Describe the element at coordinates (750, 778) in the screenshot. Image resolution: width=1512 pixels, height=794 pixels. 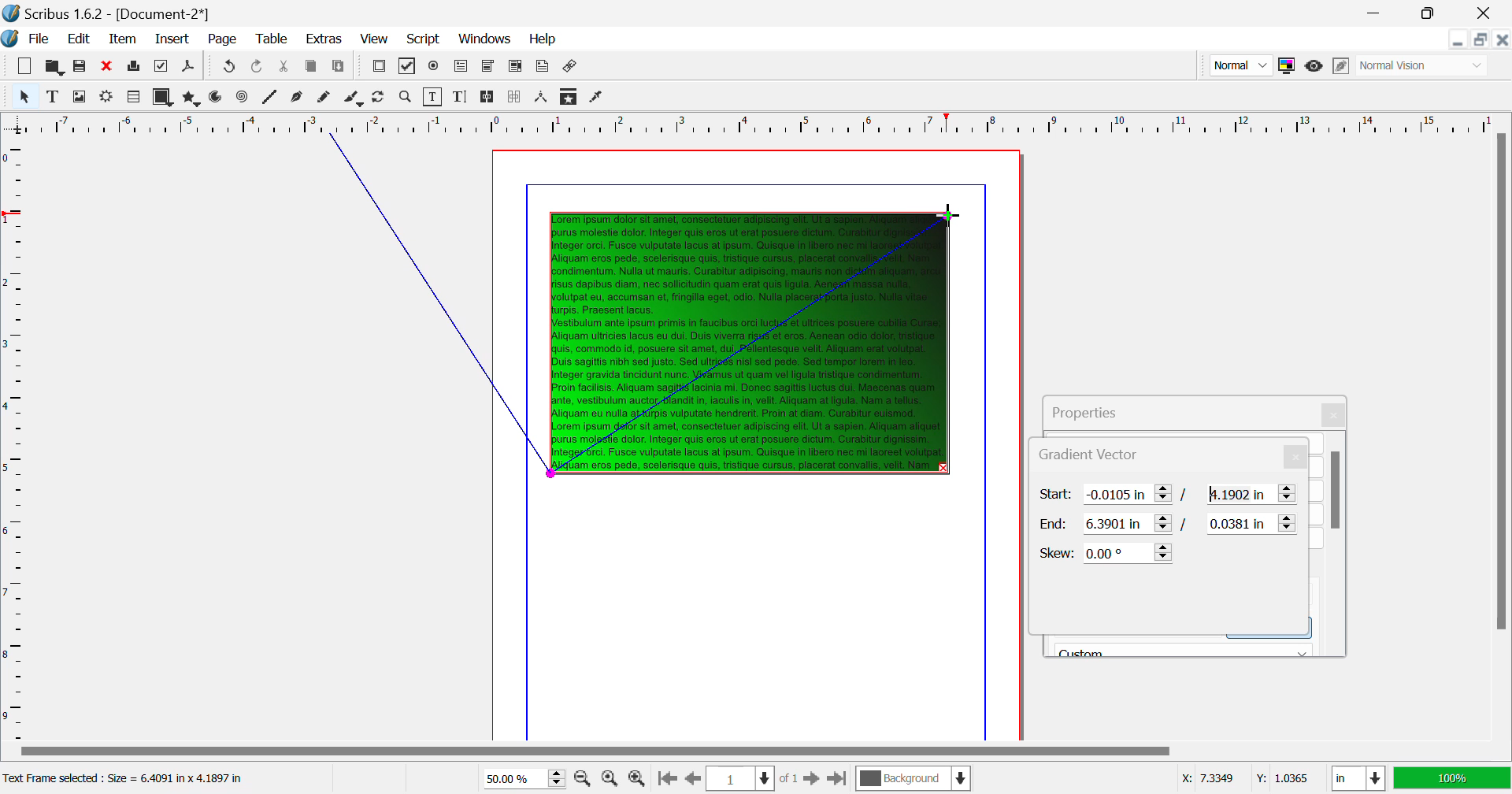
I see `Page 1 of 1` at that location.